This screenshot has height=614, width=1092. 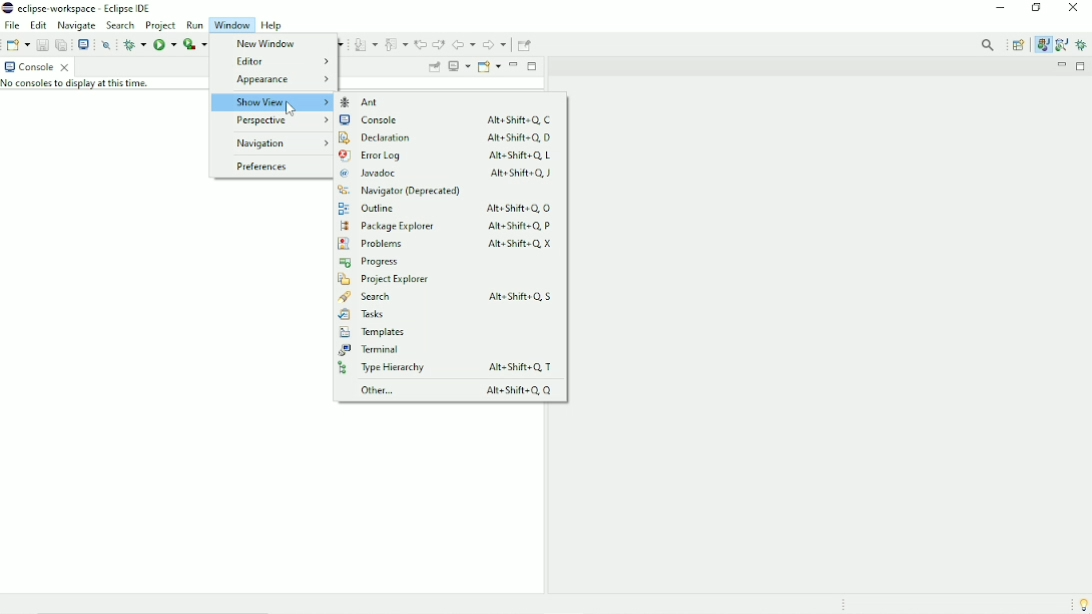 What do you see at coordinates (372, 350) in the screenshot?
I see `Terminal` at bounding box center [372, 350].